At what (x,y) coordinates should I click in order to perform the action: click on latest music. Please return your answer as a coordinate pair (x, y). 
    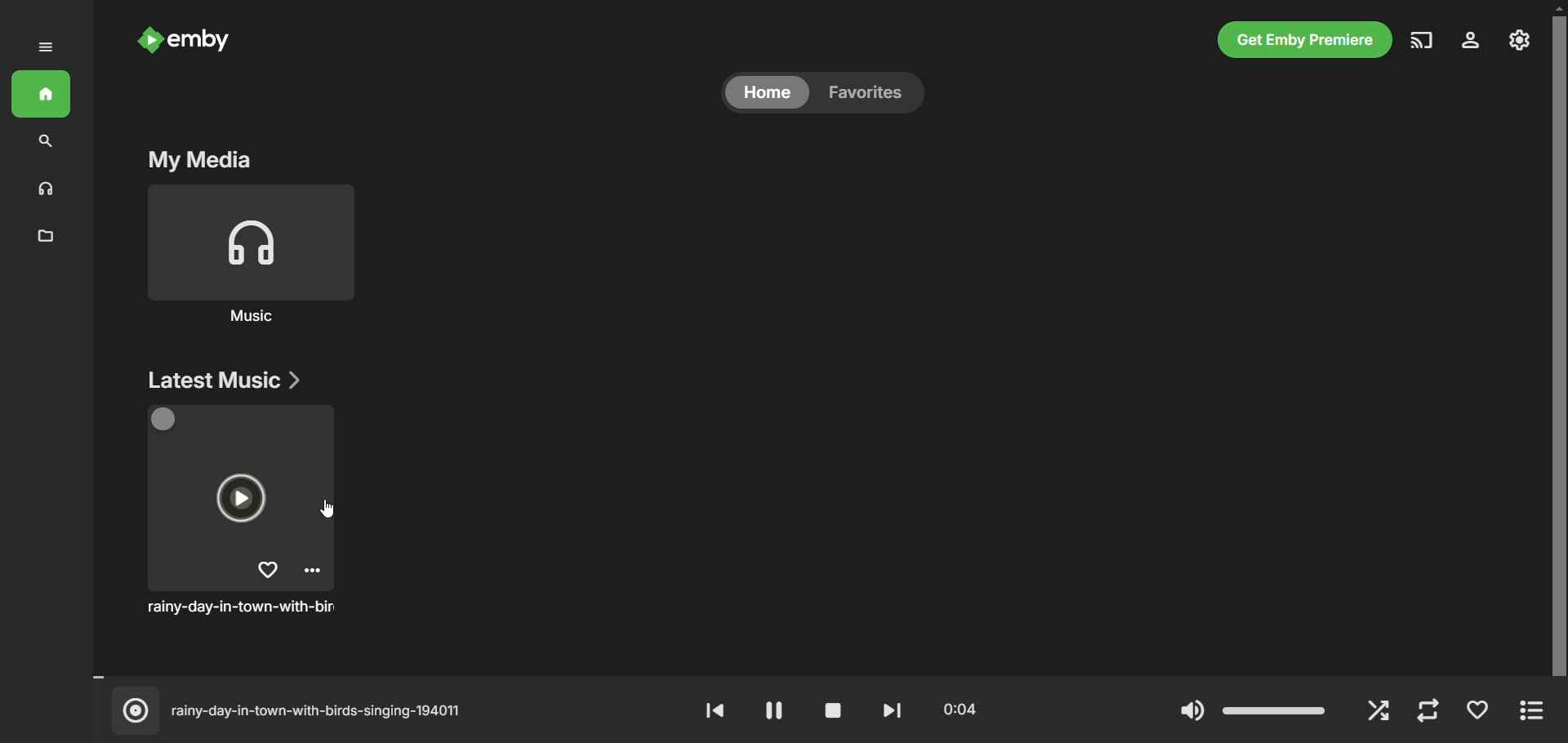
    Looking at the image, I should click on (220, 379).